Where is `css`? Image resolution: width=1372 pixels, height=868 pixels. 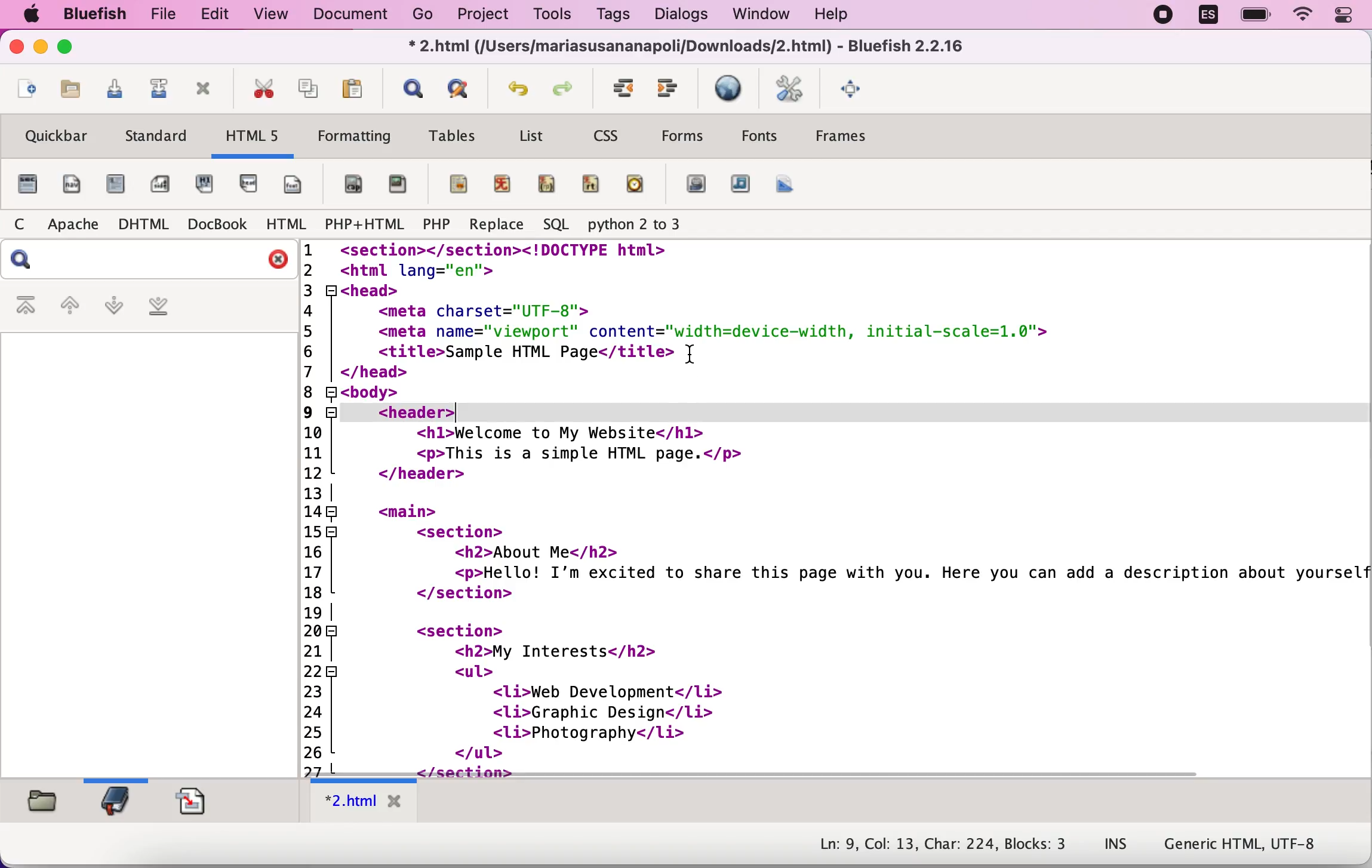
css is located at coordinates (611, 134).